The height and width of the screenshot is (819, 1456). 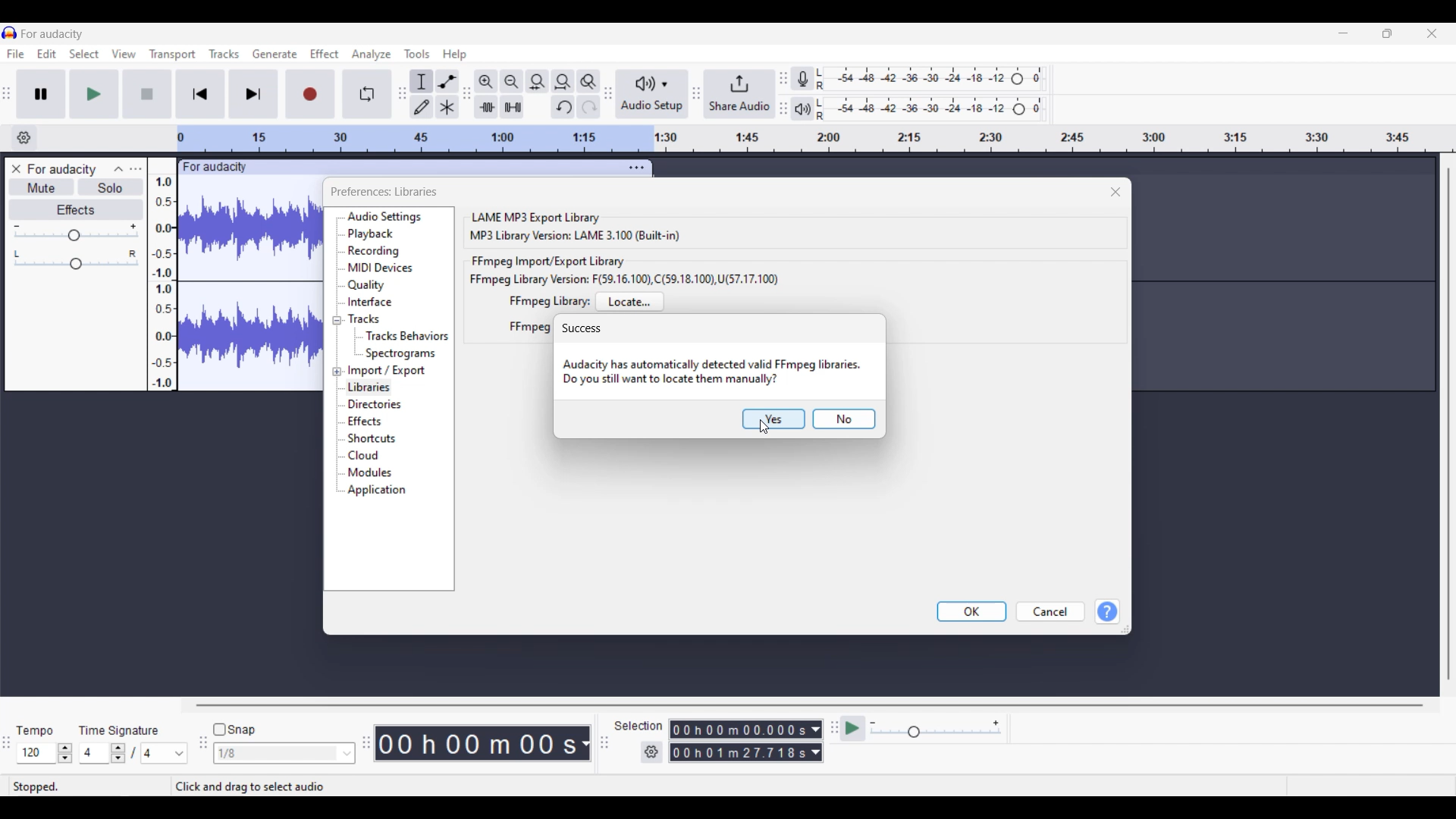 I want to click on Tracks behaviours , so click(x=407, y=337).